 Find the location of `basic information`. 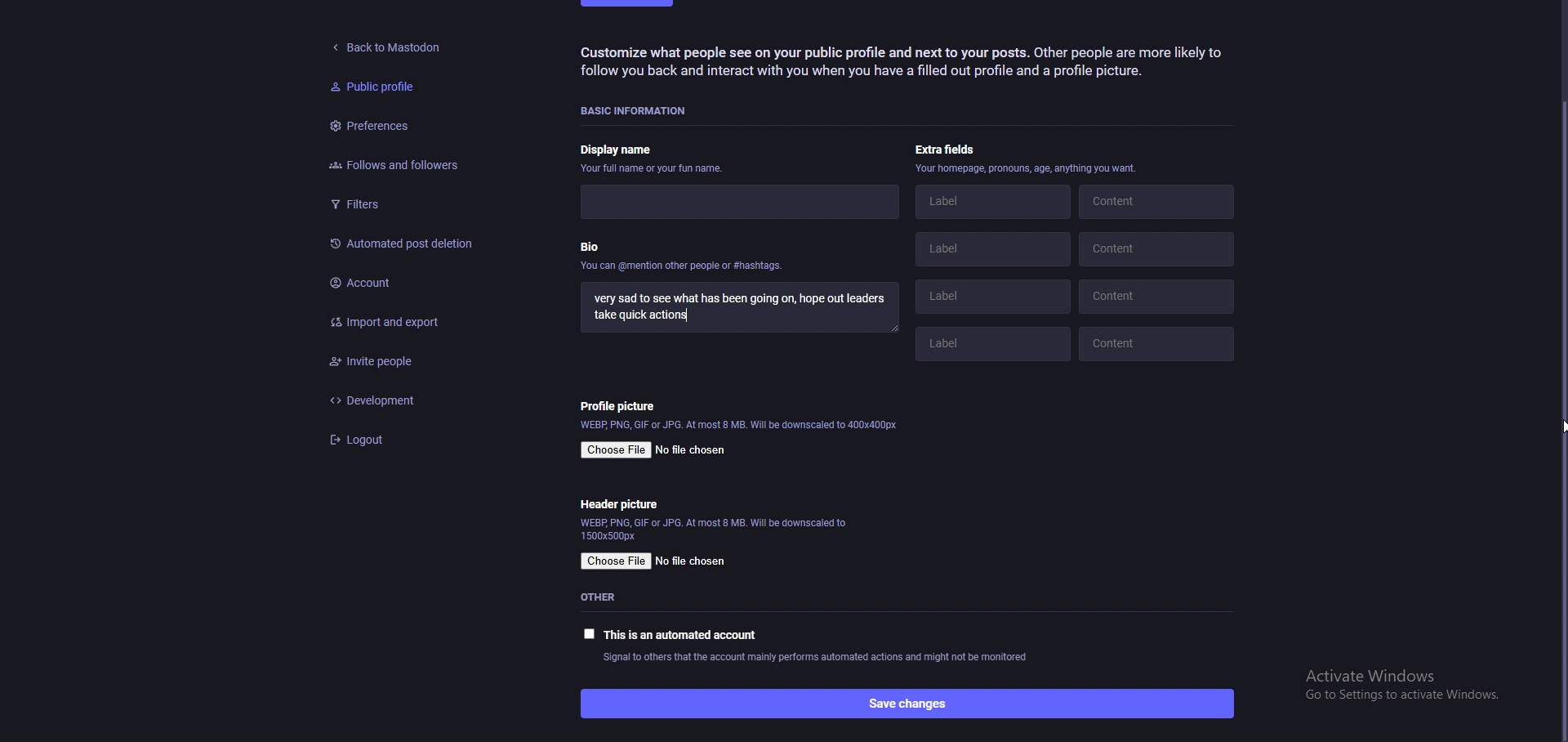

basic information is located at coordinates (641, 109).